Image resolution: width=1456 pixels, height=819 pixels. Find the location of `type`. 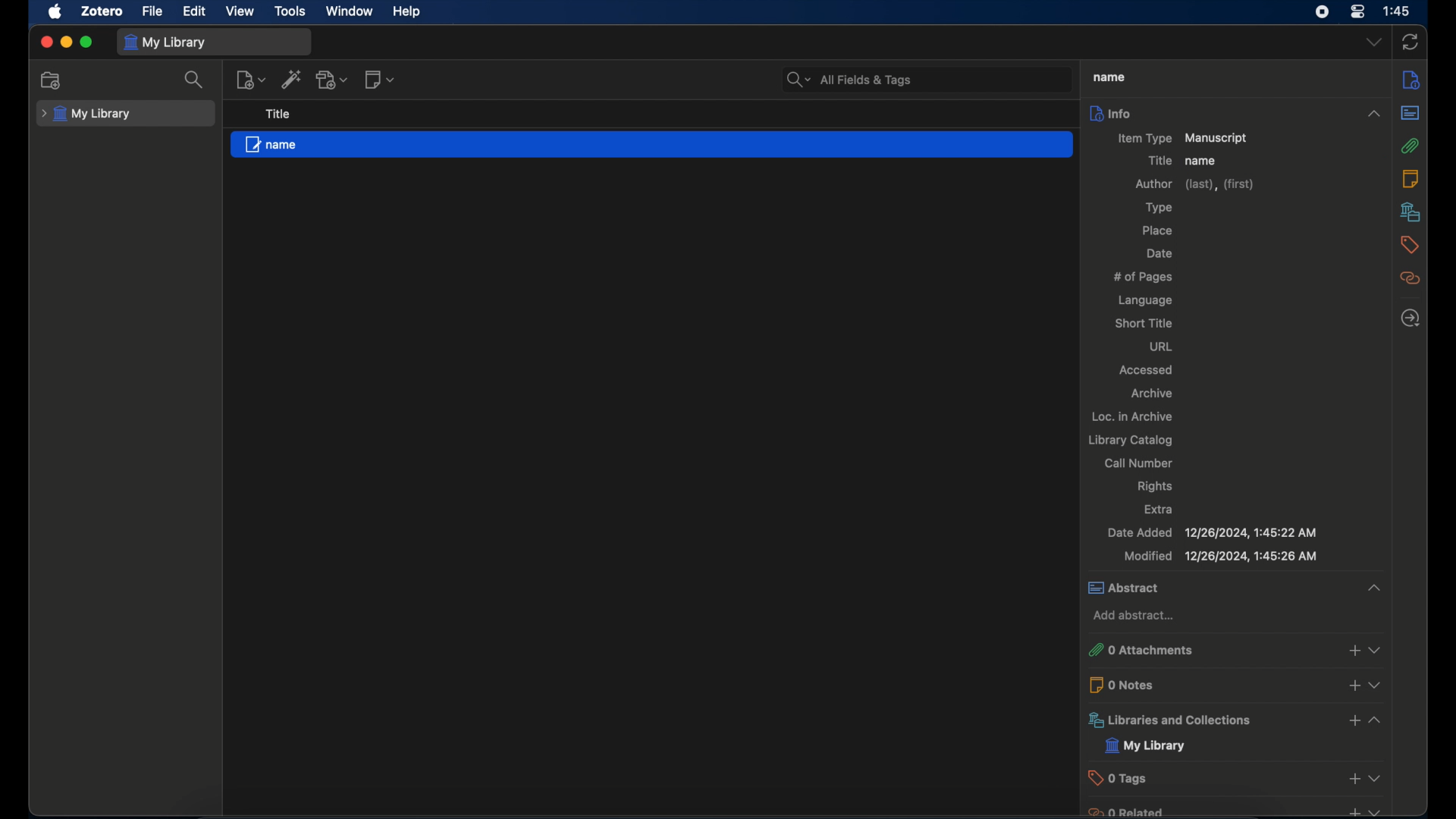

type is located at coordinates (1159, 208).